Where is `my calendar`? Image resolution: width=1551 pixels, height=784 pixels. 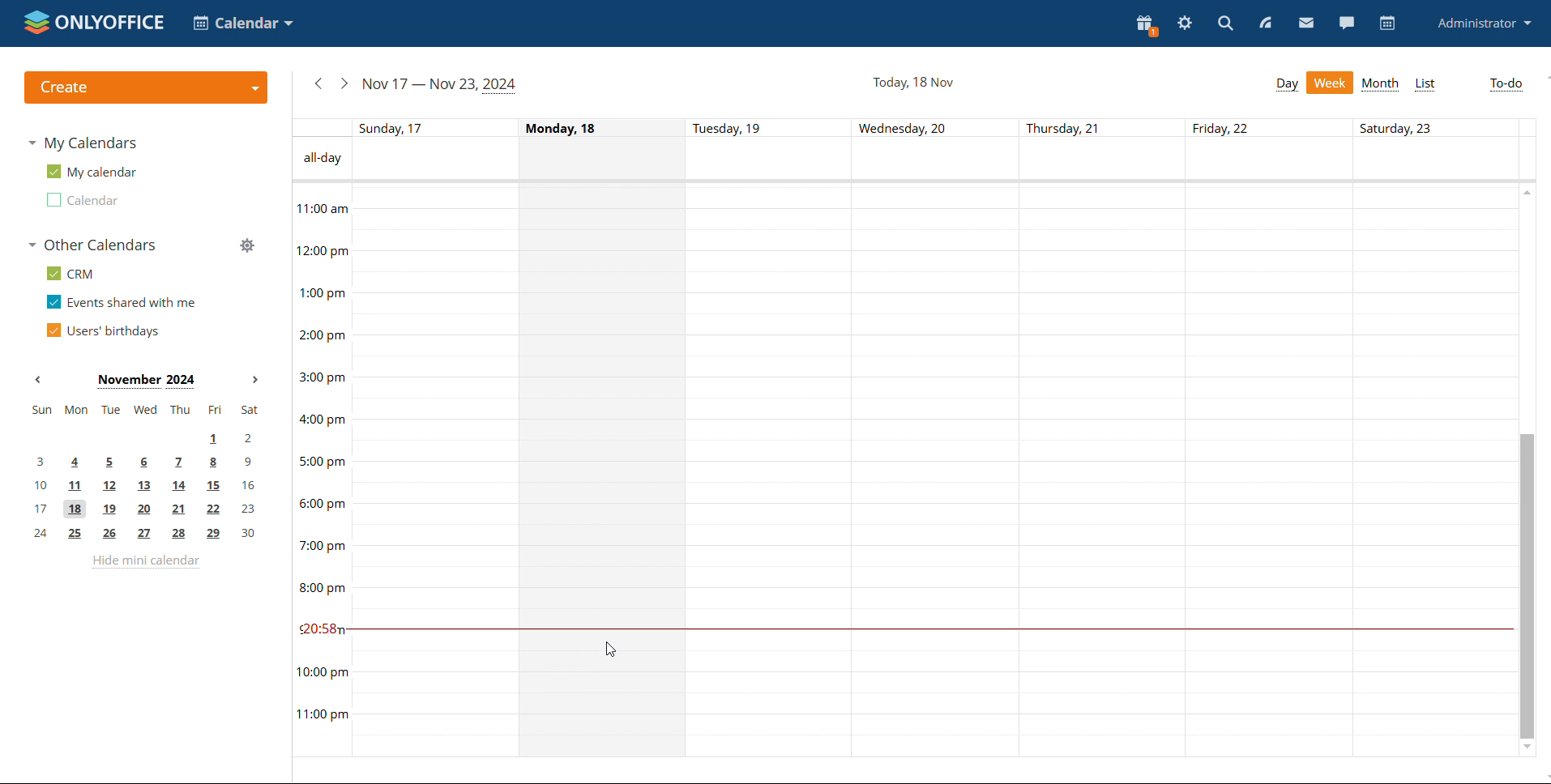
my calendar is located at coordinates (91, 172).